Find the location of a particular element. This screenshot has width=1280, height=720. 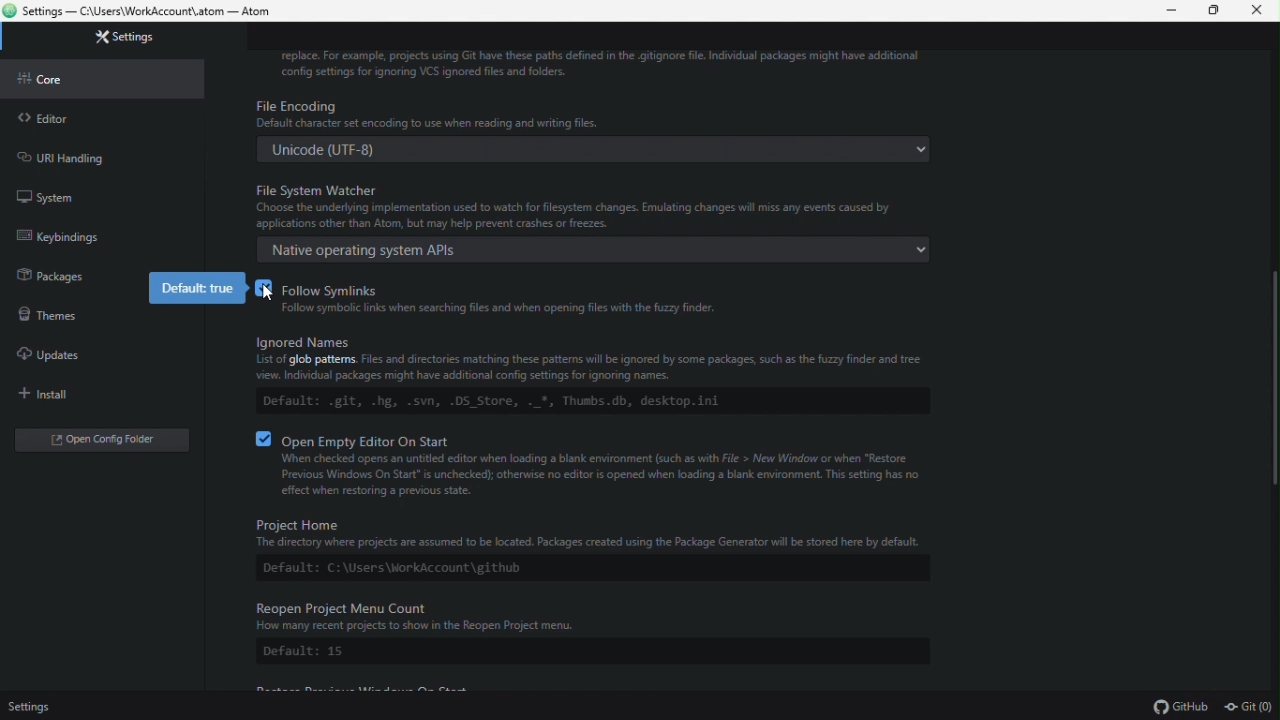

checkbox is located at coordinates (268, 293).